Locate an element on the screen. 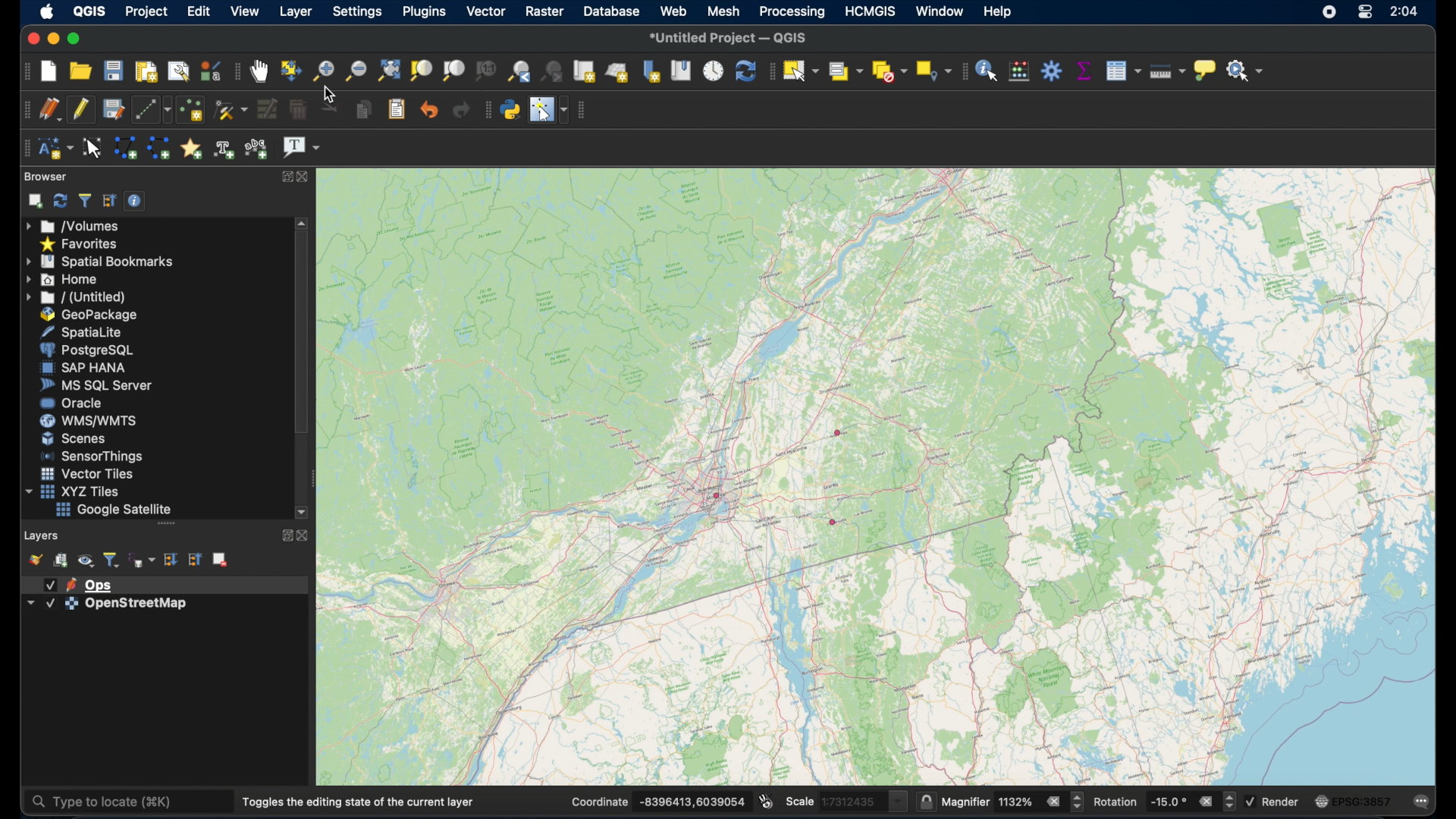  identify features is located at coordinates (989, 71).